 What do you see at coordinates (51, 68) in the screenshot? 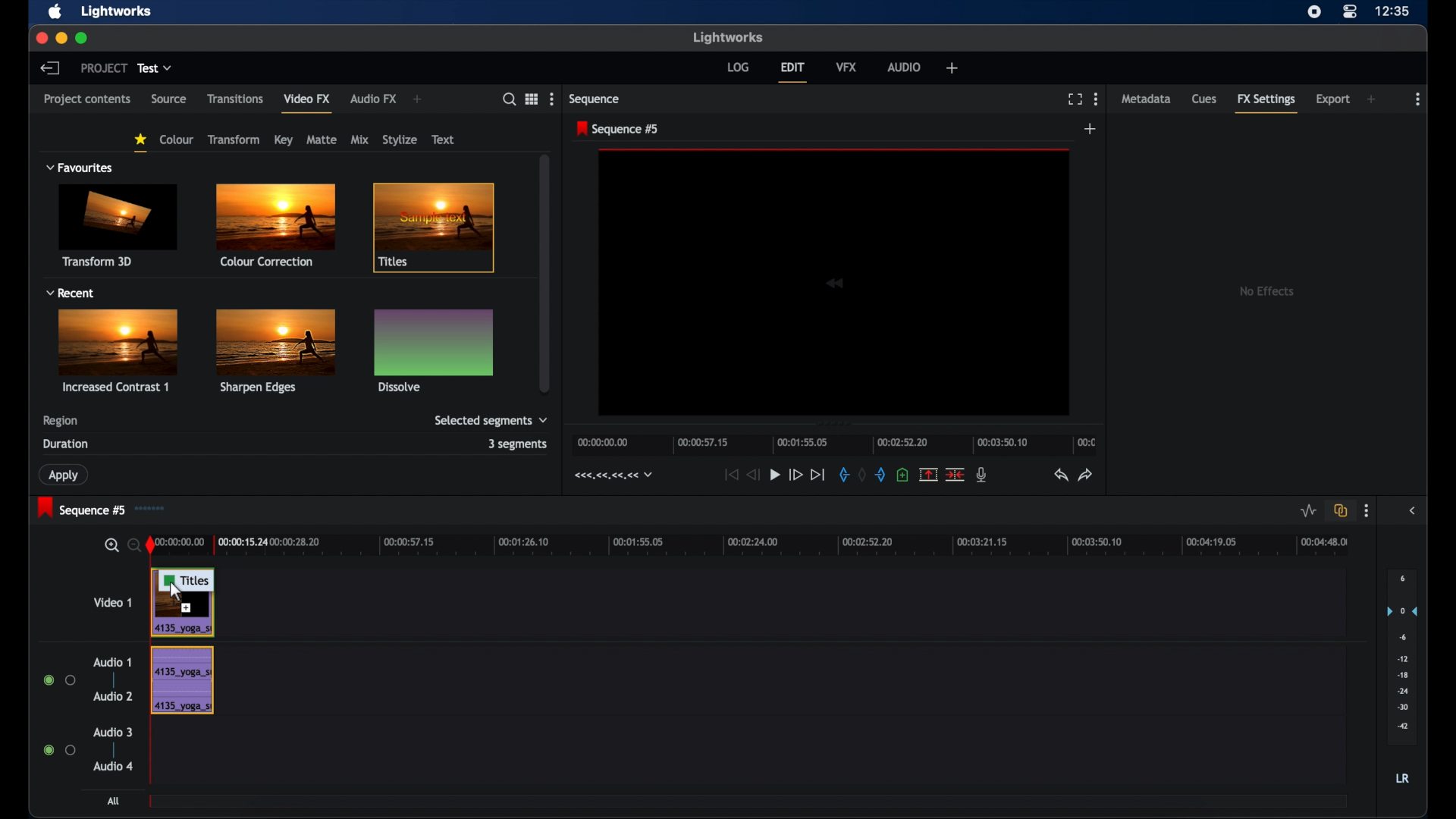
I see `back` at bounding box center [51, 68].